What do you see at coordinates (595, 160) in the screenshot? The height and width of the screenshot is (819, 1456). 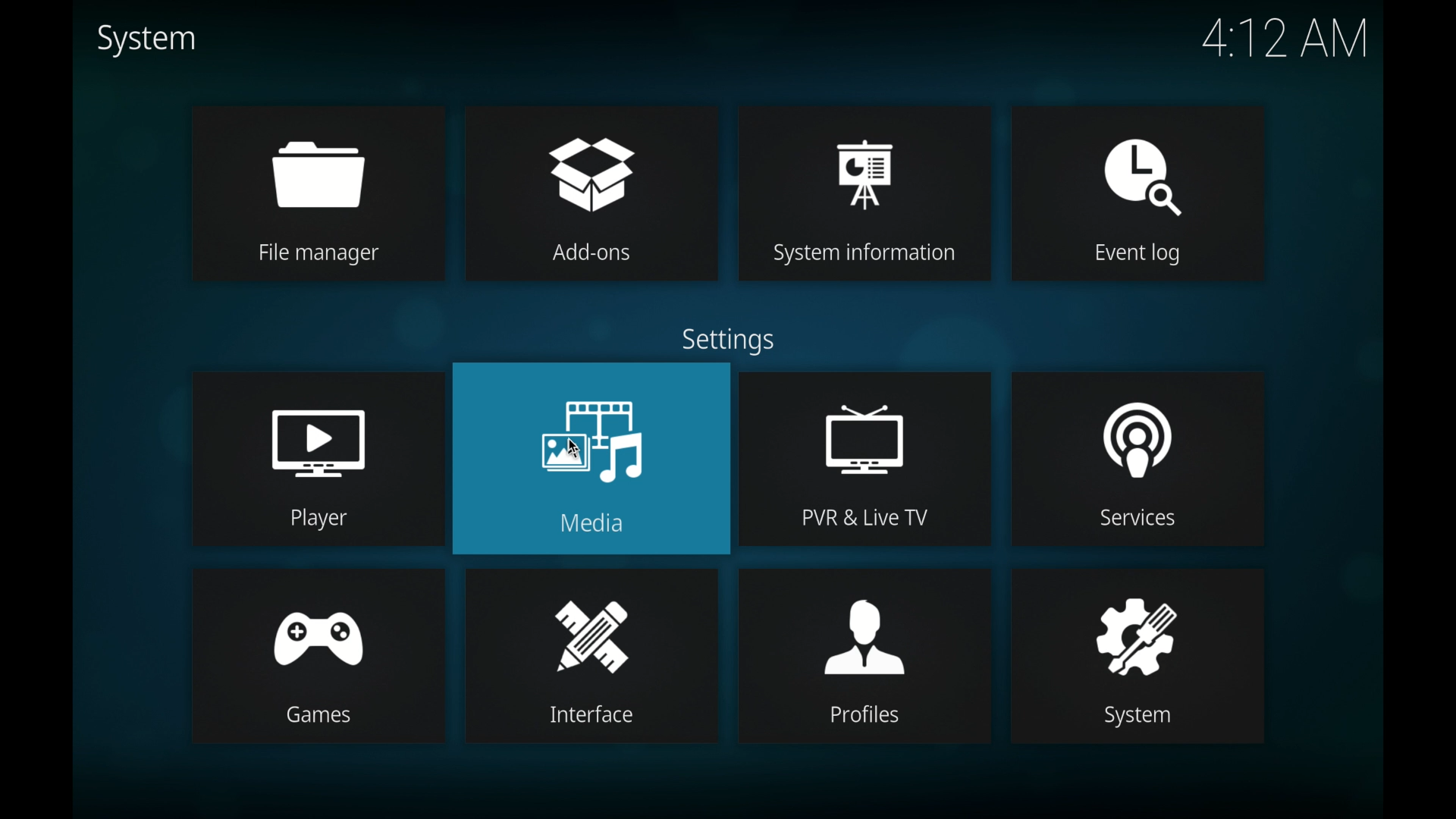 I see `add-ons` at bounding box center [595, 160].